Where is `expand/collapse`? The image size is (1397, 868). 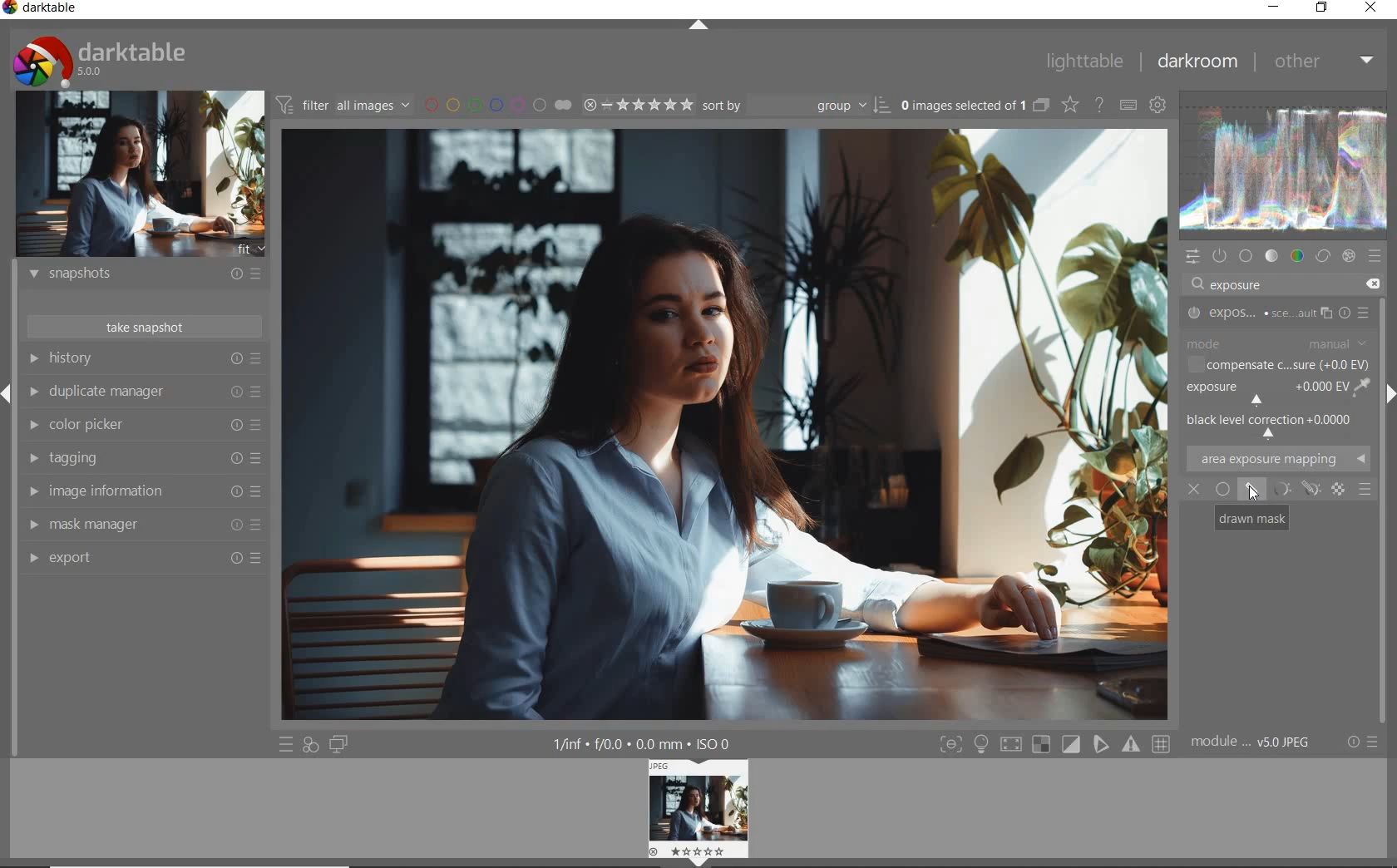
expand/collapse is located at coordinates (698, 24).